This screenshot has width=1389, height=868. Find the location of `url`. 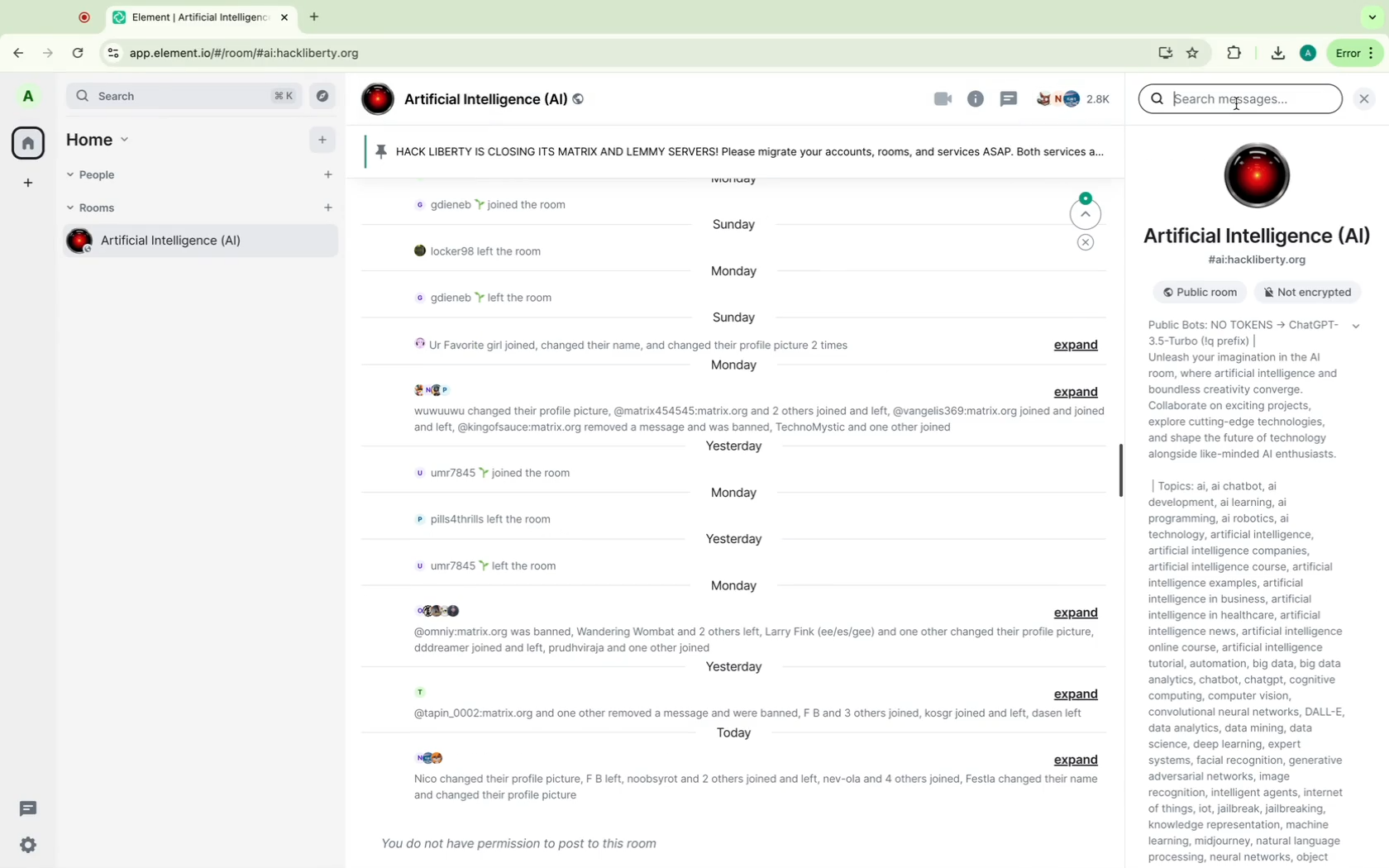

url is located at coordinates (251, 53).